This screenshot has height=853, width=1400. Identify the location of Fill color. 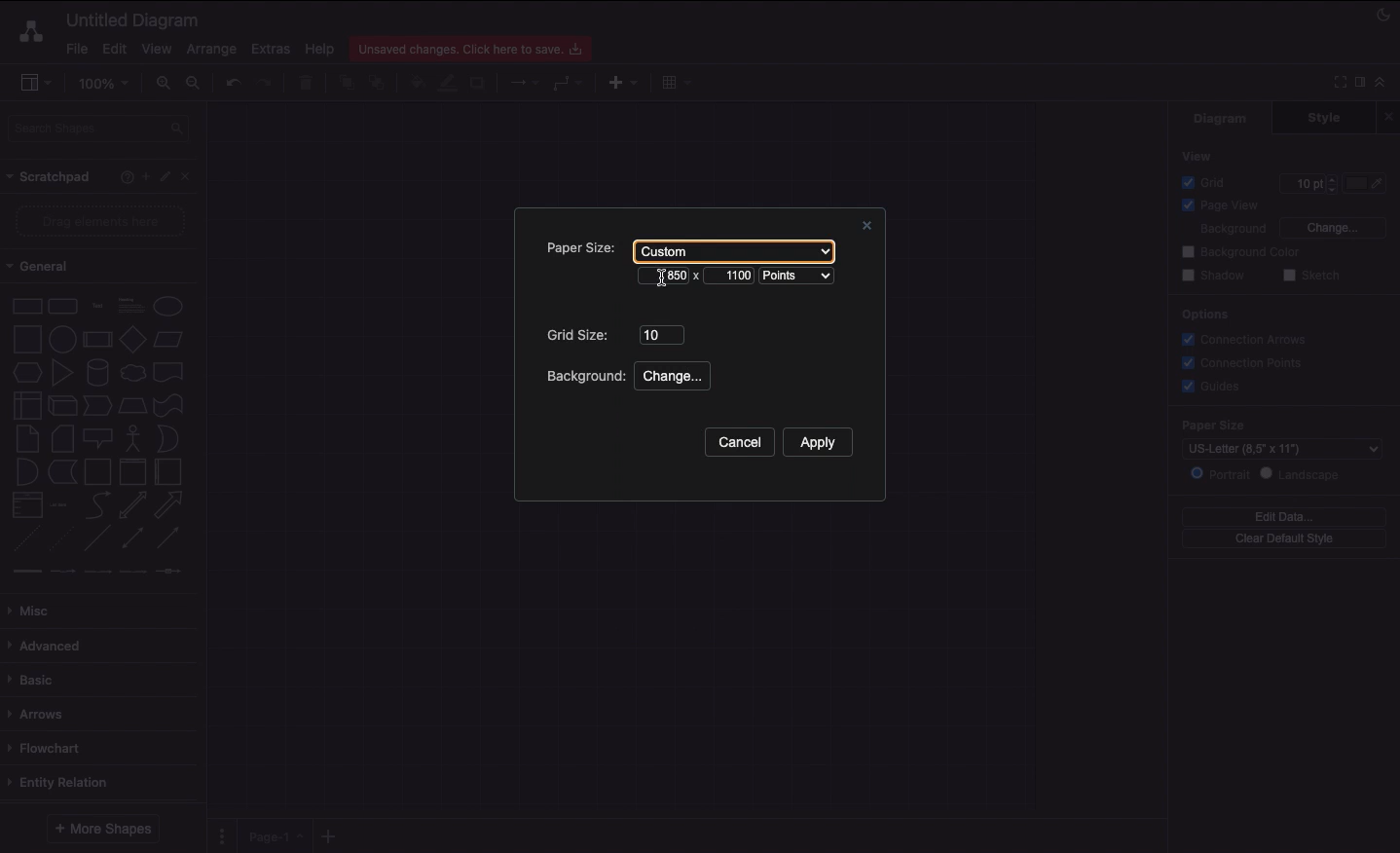
(416, 85).